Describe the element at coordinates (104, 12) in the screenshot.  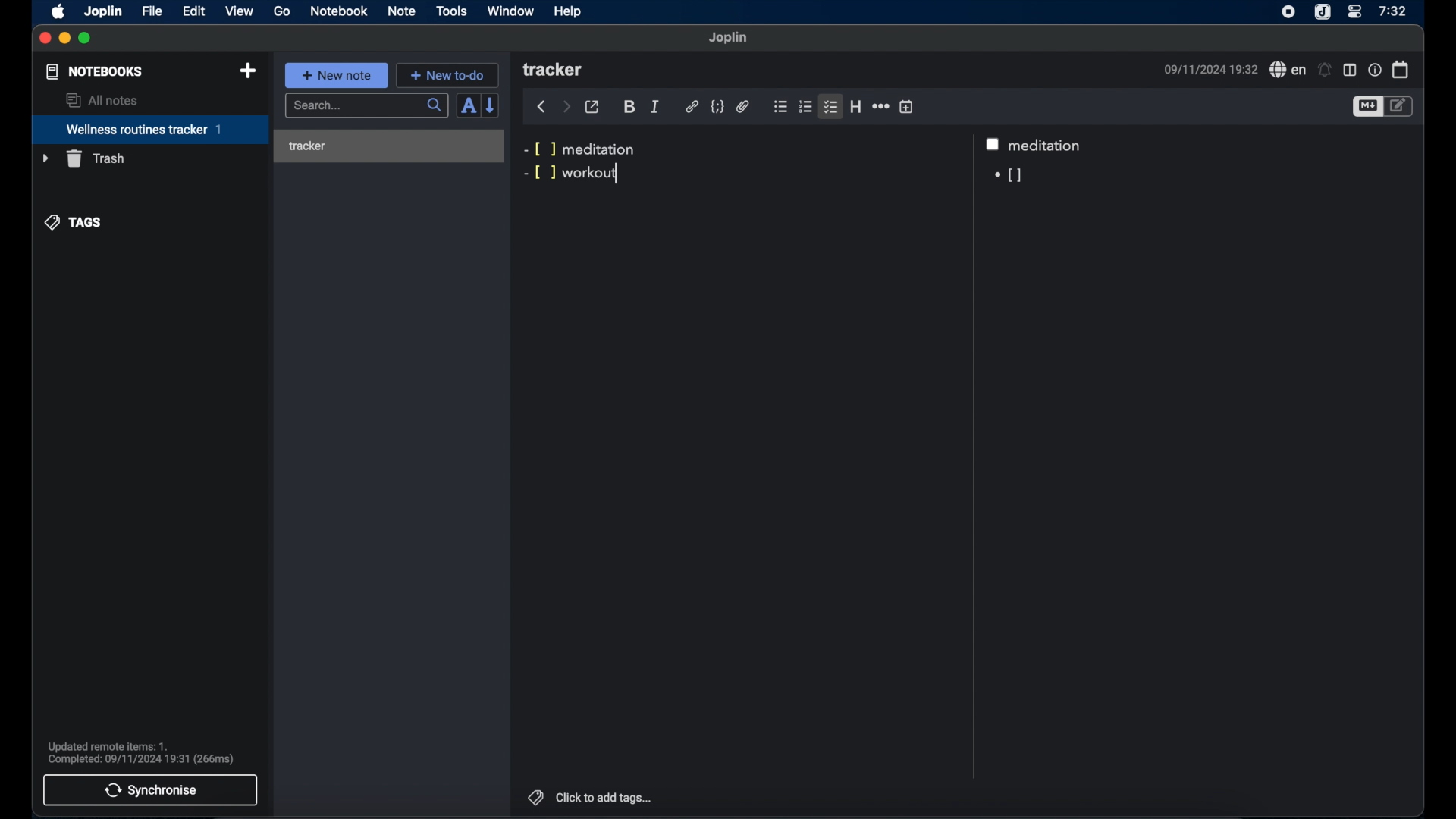
I see `joplin` at that location.